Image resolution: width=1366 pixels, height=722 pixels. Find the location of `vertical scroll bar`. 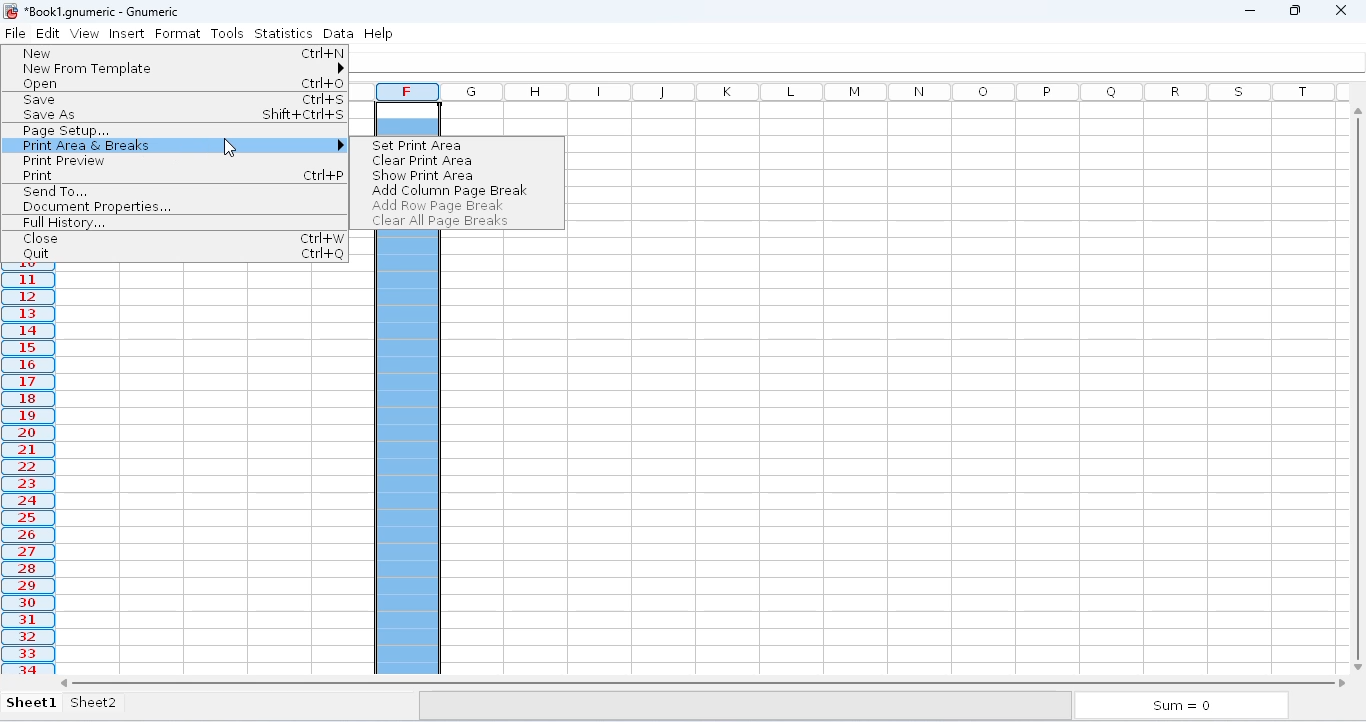

vertical scroll bar is located at coordinates (1357, 385).